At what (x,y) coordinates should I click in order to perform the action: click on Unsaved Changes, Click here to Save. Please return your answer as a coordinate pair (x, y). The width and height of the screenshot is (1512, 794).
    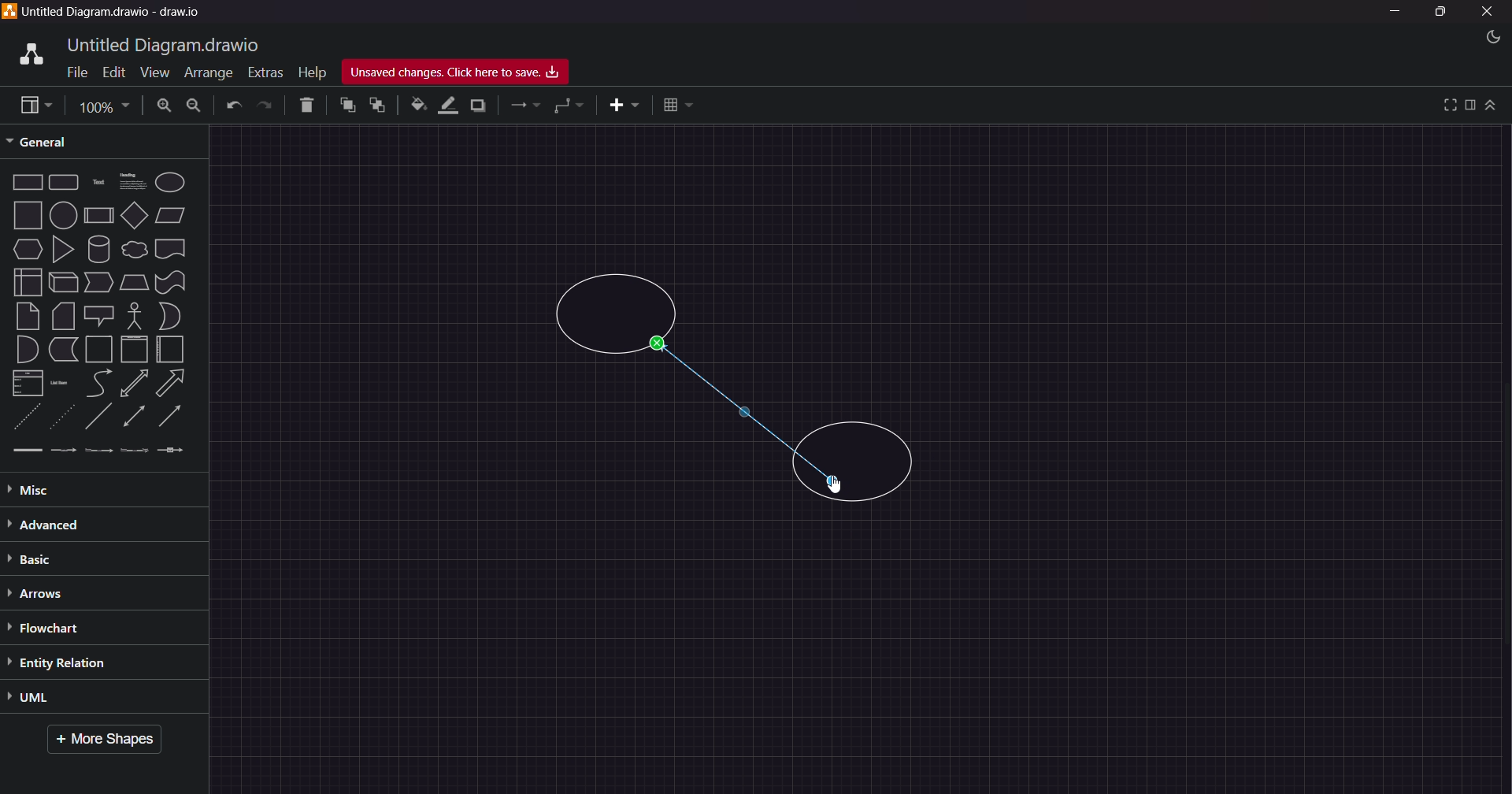
    Looking at the image, I should click on (462, 72).